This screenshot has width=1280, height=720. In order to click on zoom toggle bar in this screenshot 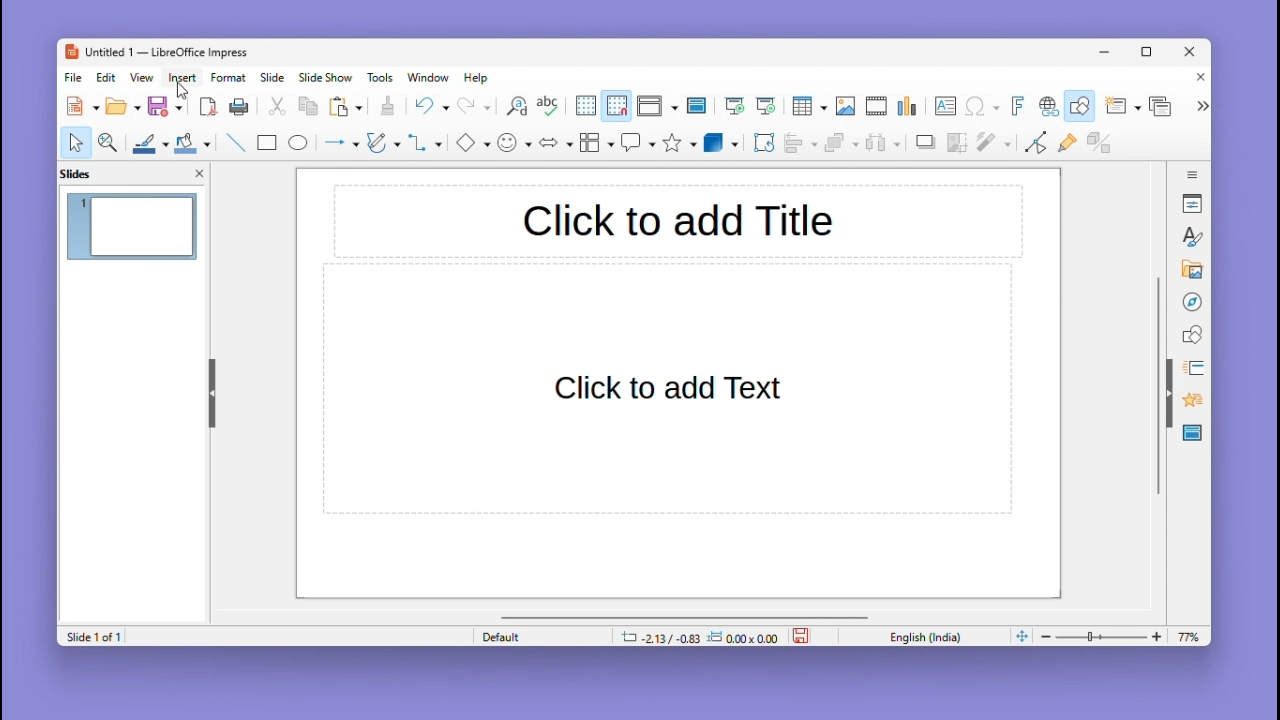, I will do `click(1106, 636)`.